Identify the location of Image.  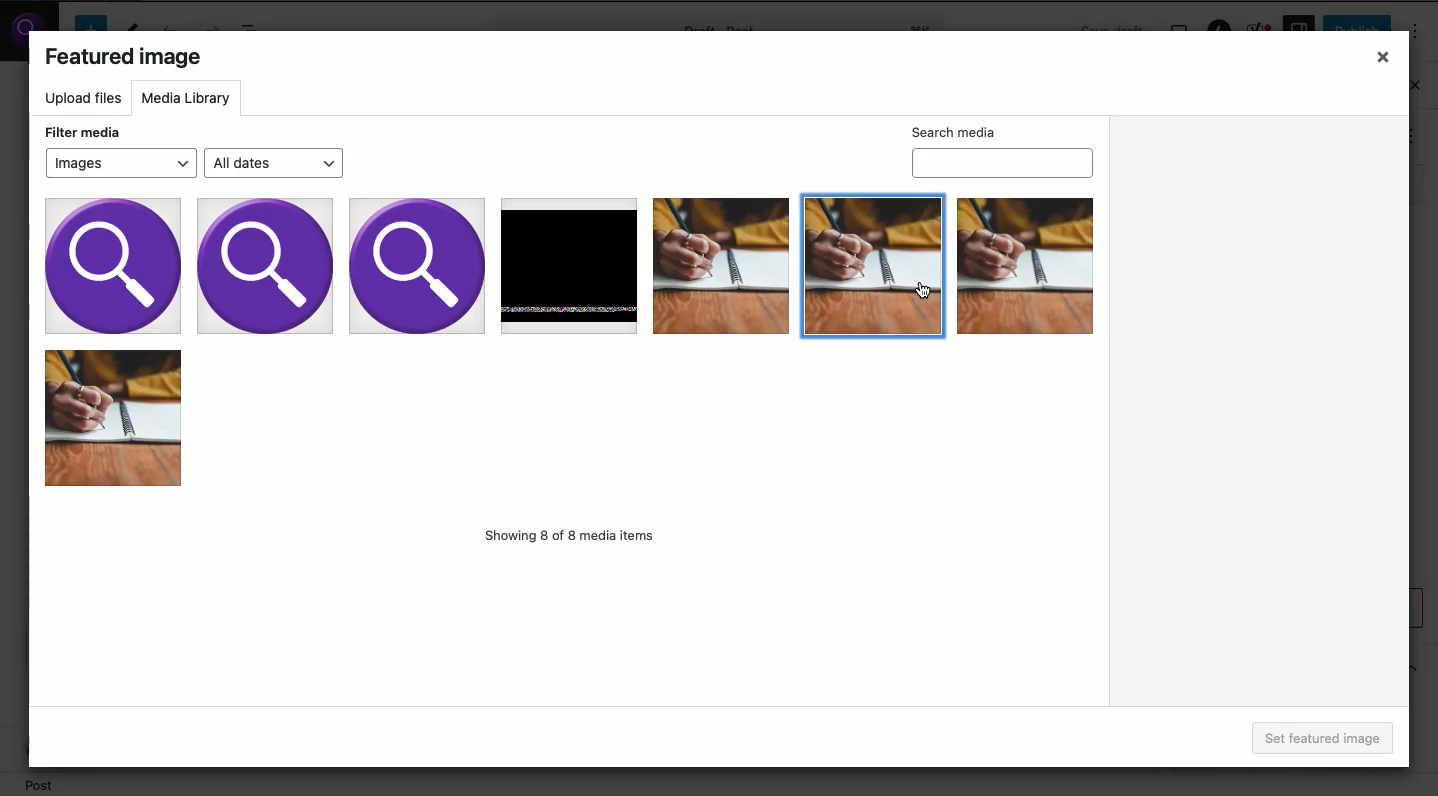
(417, 266).